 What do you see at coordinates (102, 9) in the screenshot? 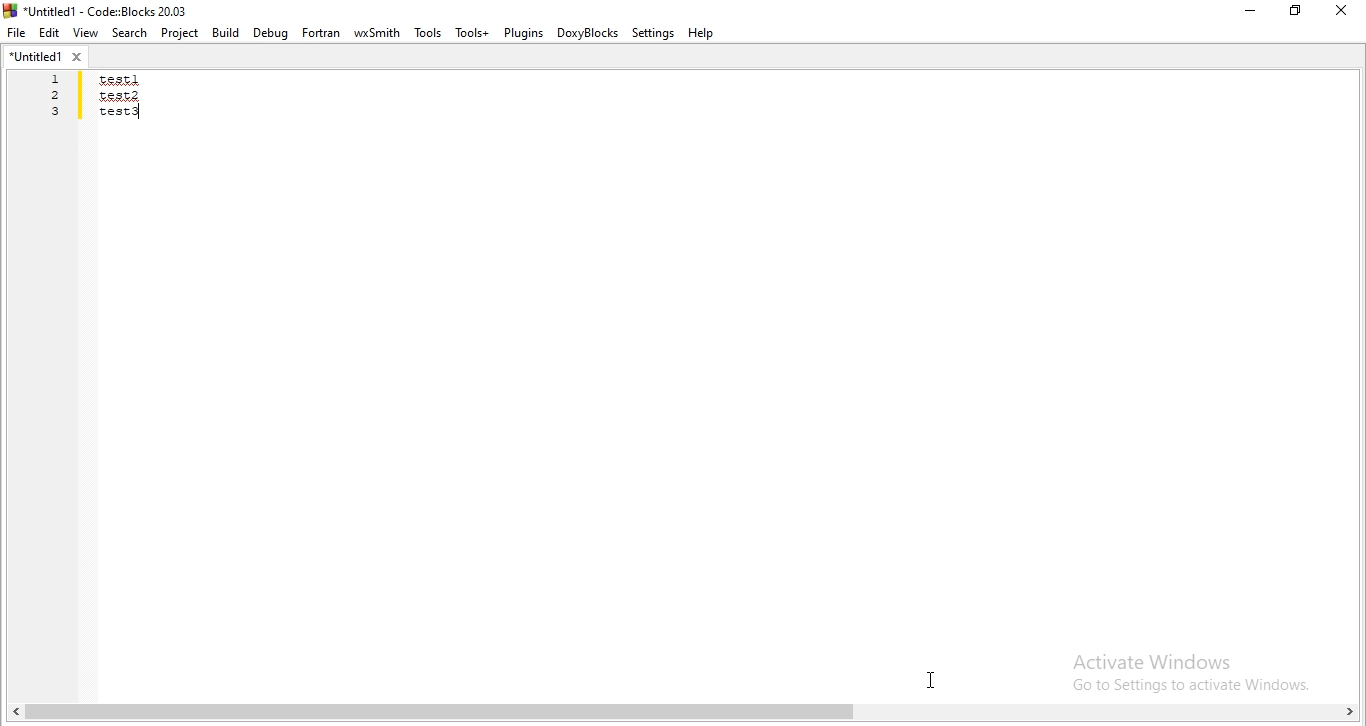
I see `*Untitled1 - Code:Blocks 20.03` at bounding box center [102, 9].